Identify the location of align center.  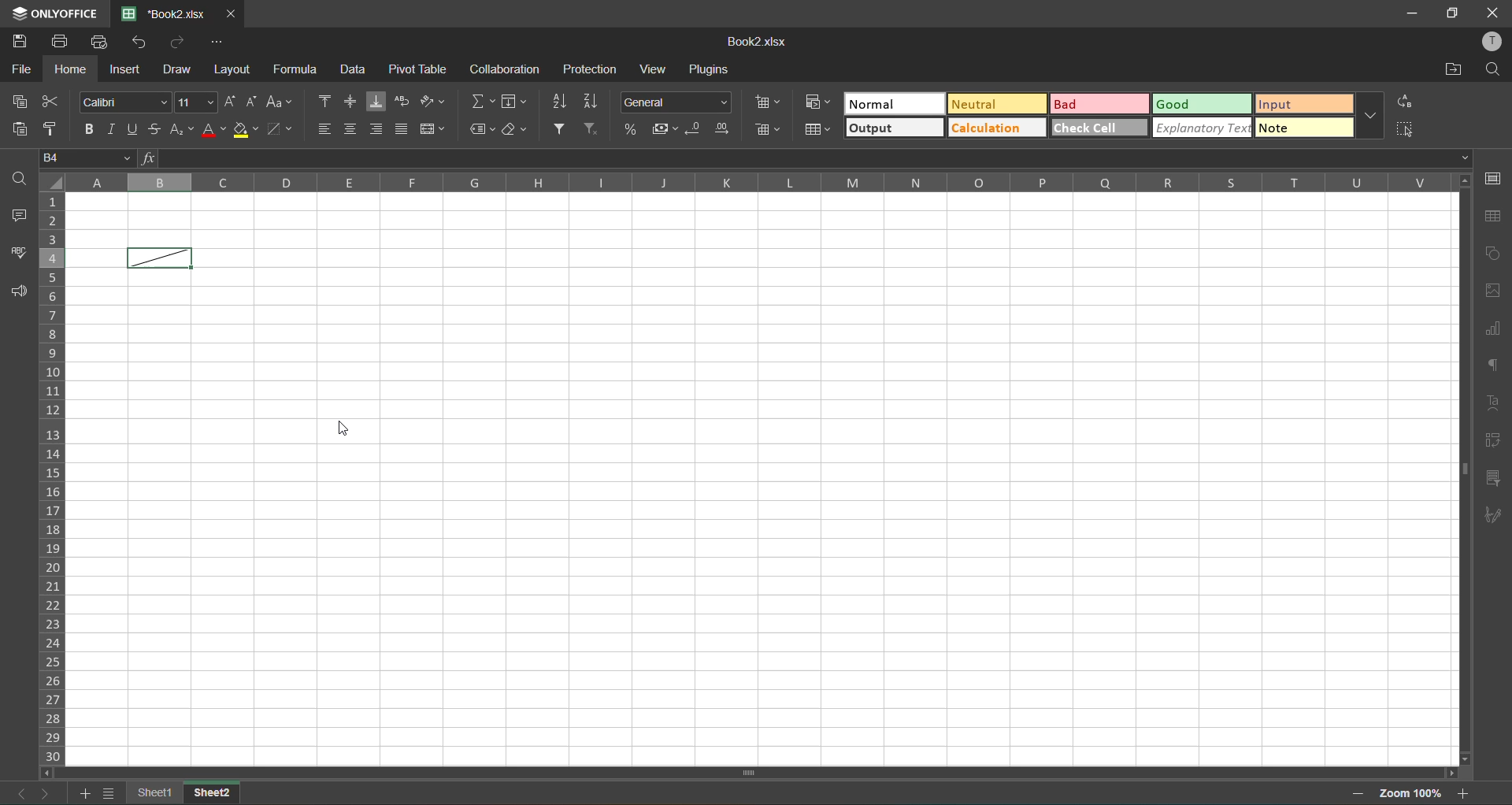
(352, 128).